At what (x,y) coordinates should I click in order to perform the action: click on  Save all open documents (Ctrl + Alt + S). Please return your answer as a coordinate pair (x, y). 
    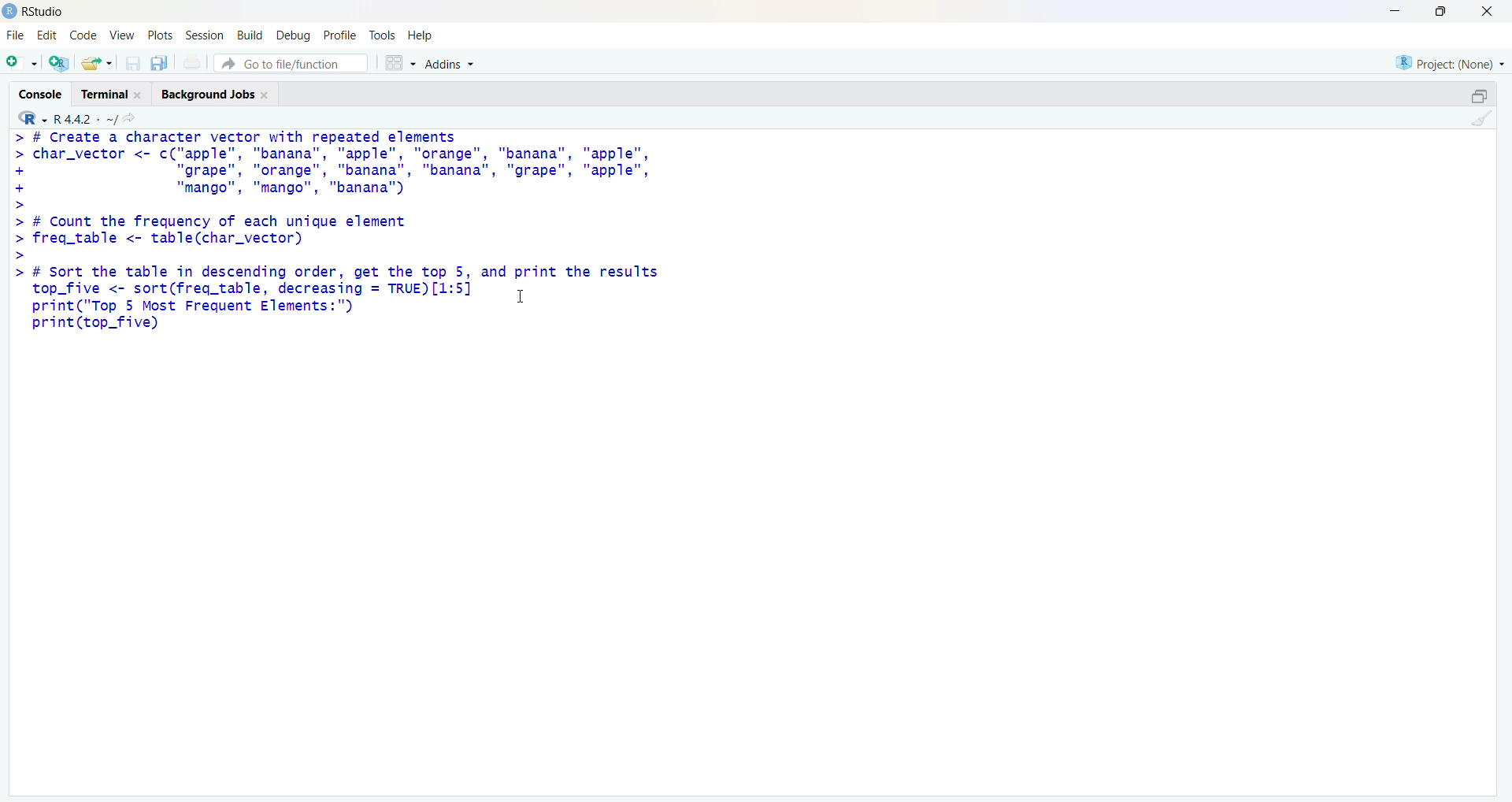
    Looking at the image, I should click on (160, 62).